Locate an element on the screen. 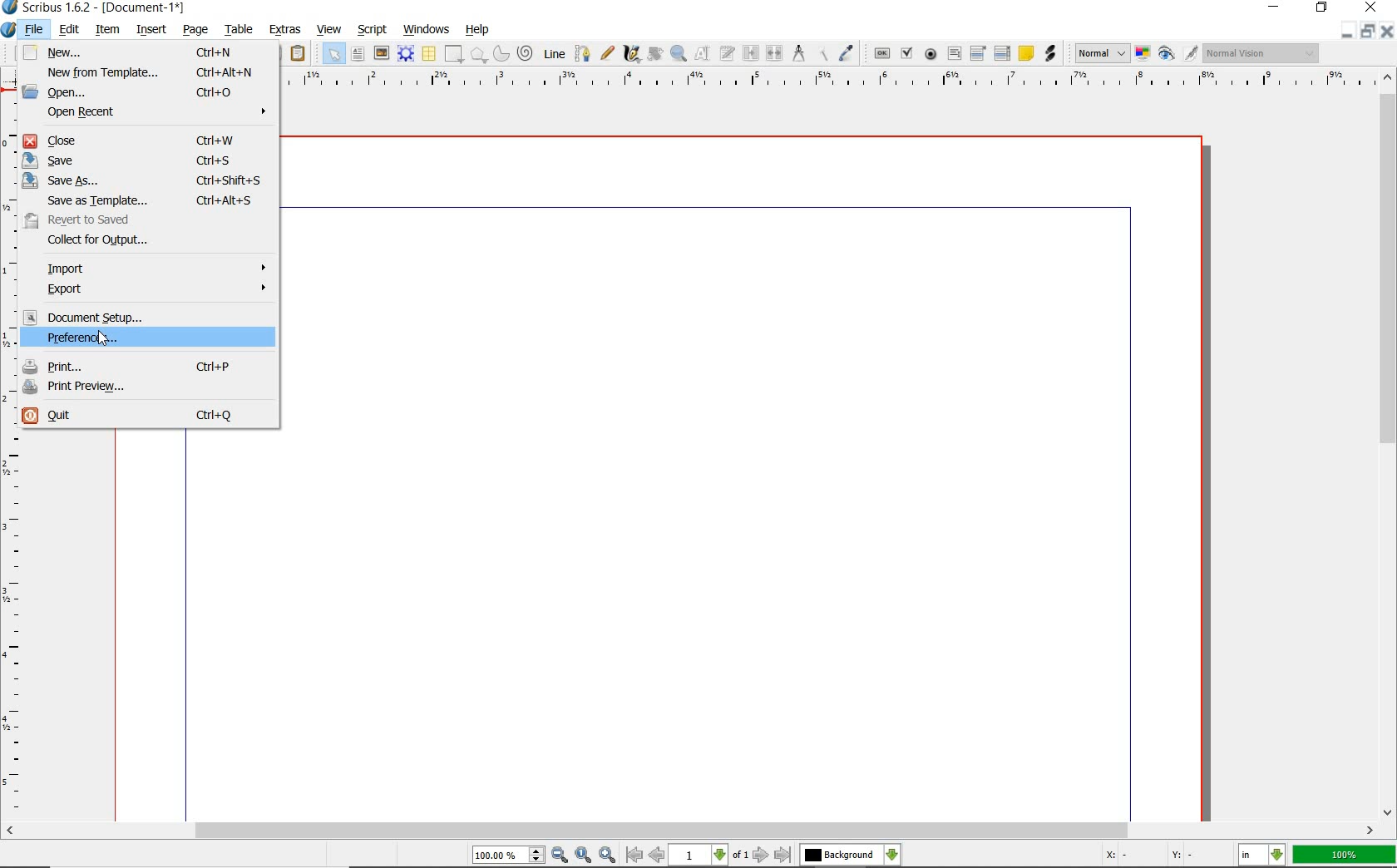  extras is located at coordinates (287, 30).